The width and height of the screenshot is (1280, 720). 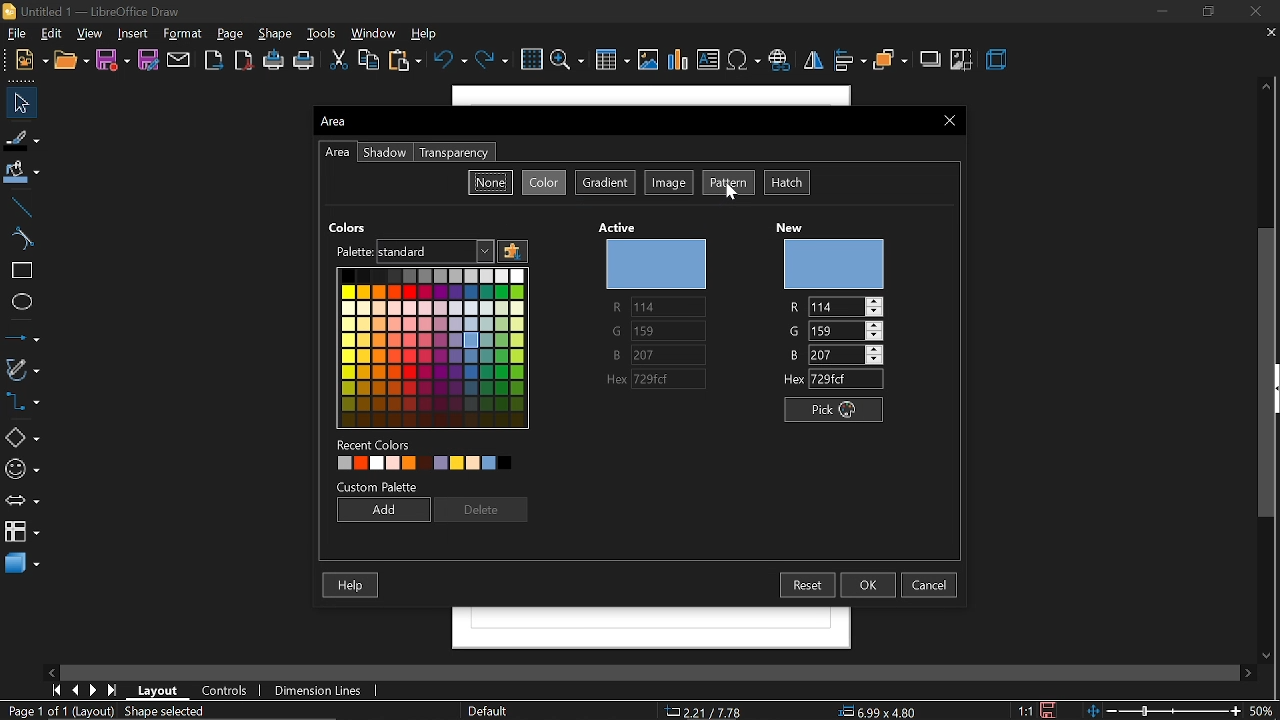 I want to click on new color, so click(x=838, y=264).